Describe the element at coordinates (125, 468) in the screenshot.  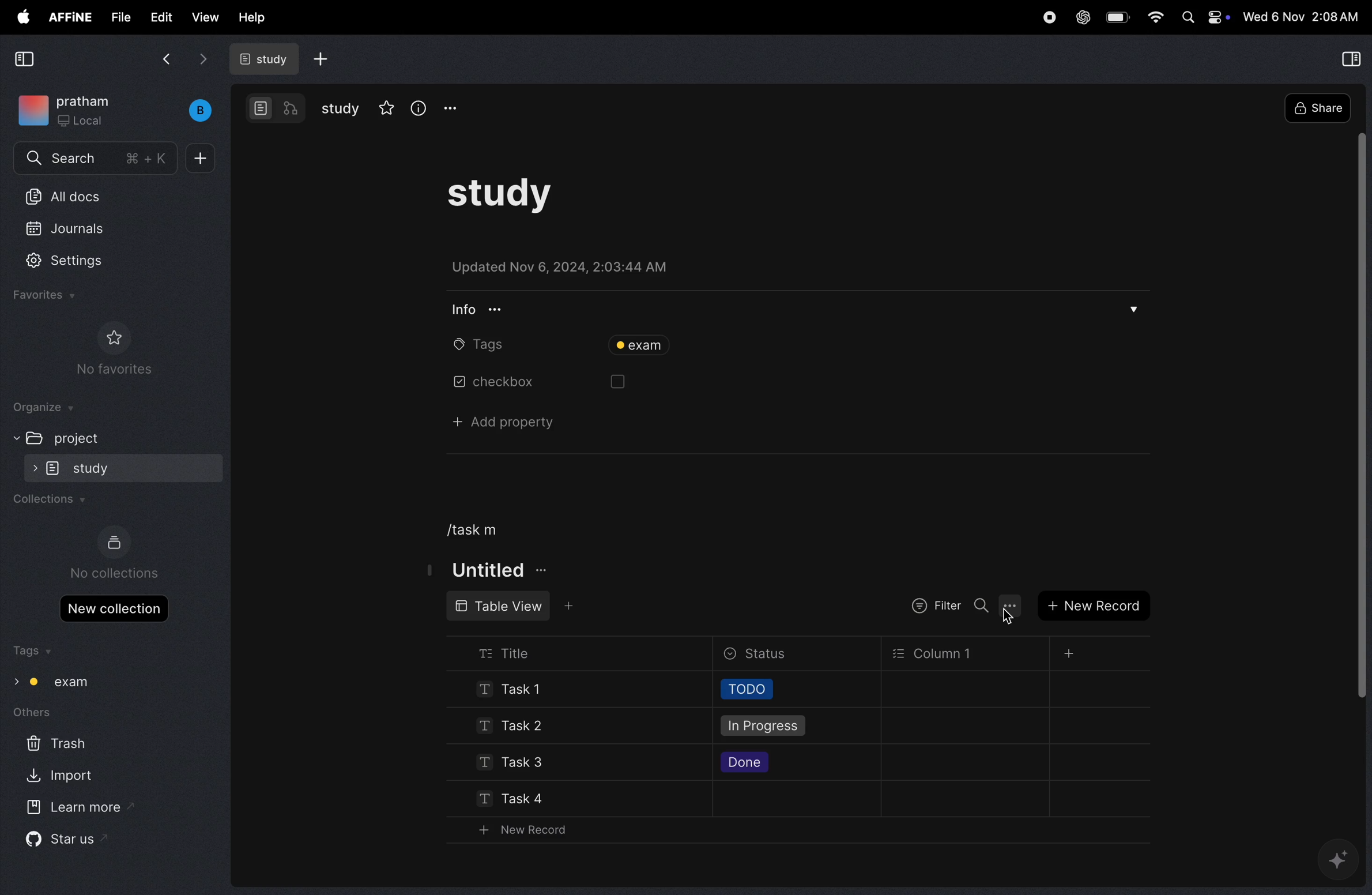
I see `study` at that location.